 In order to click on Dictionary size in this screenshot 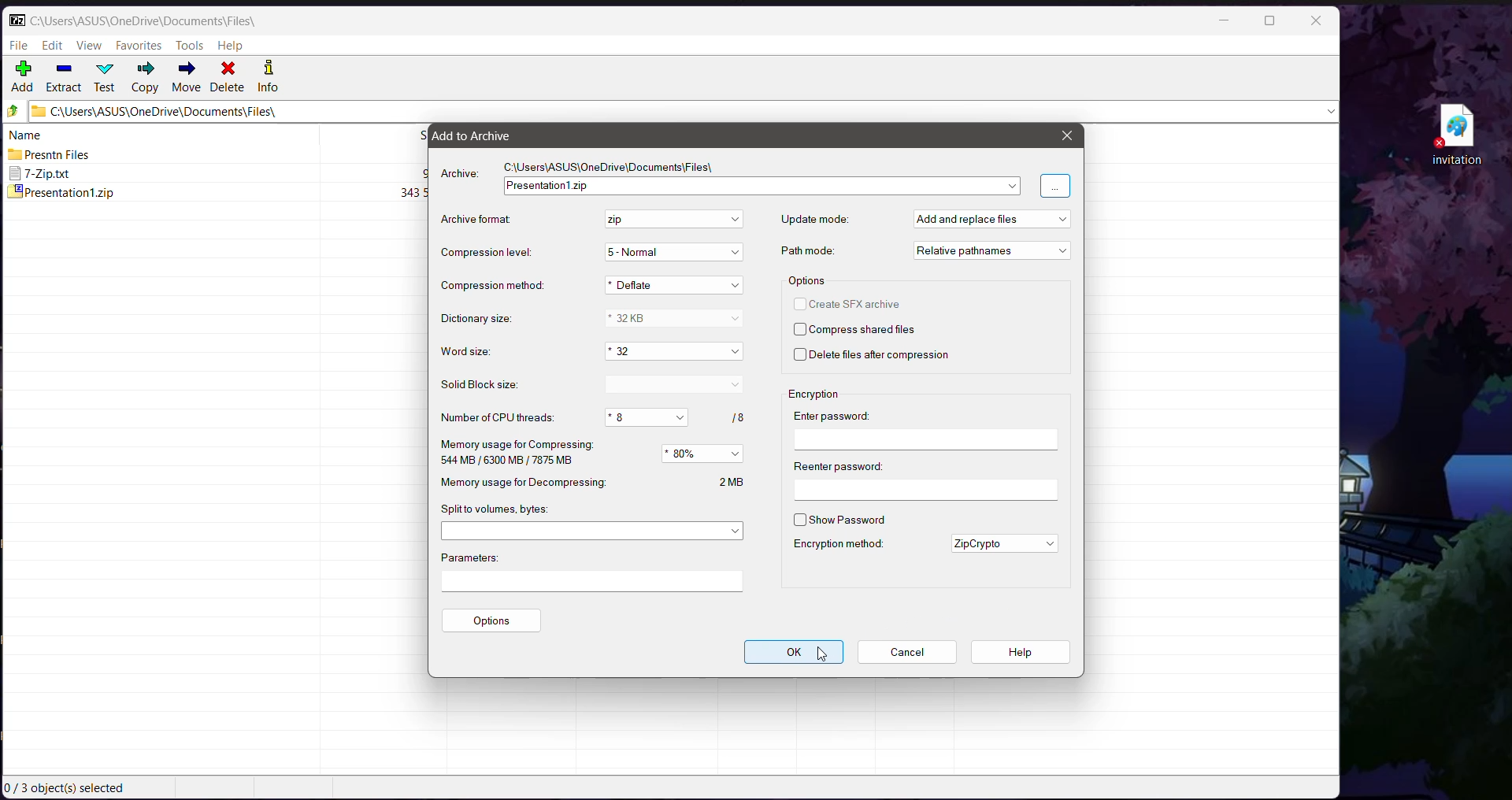, I will do `click(484, 320)`.